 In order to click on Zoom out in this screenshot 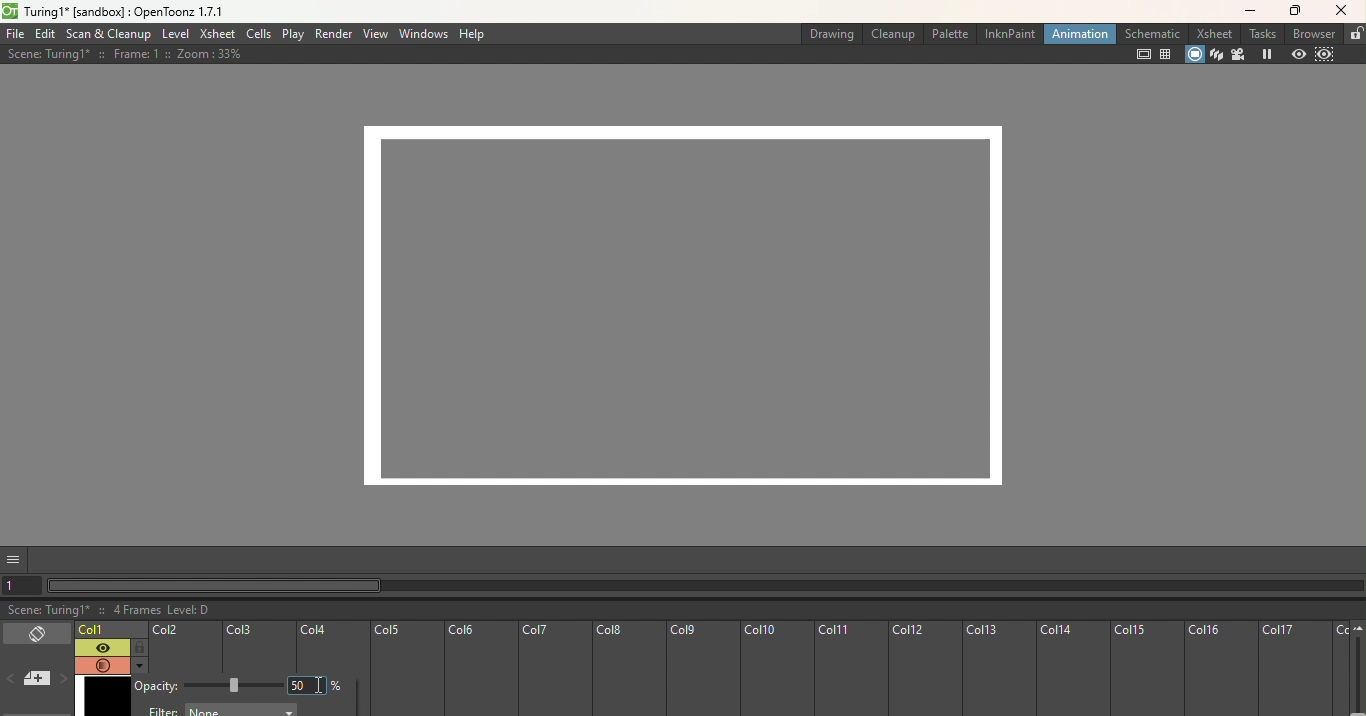, I will do `click(1359, 630)`.